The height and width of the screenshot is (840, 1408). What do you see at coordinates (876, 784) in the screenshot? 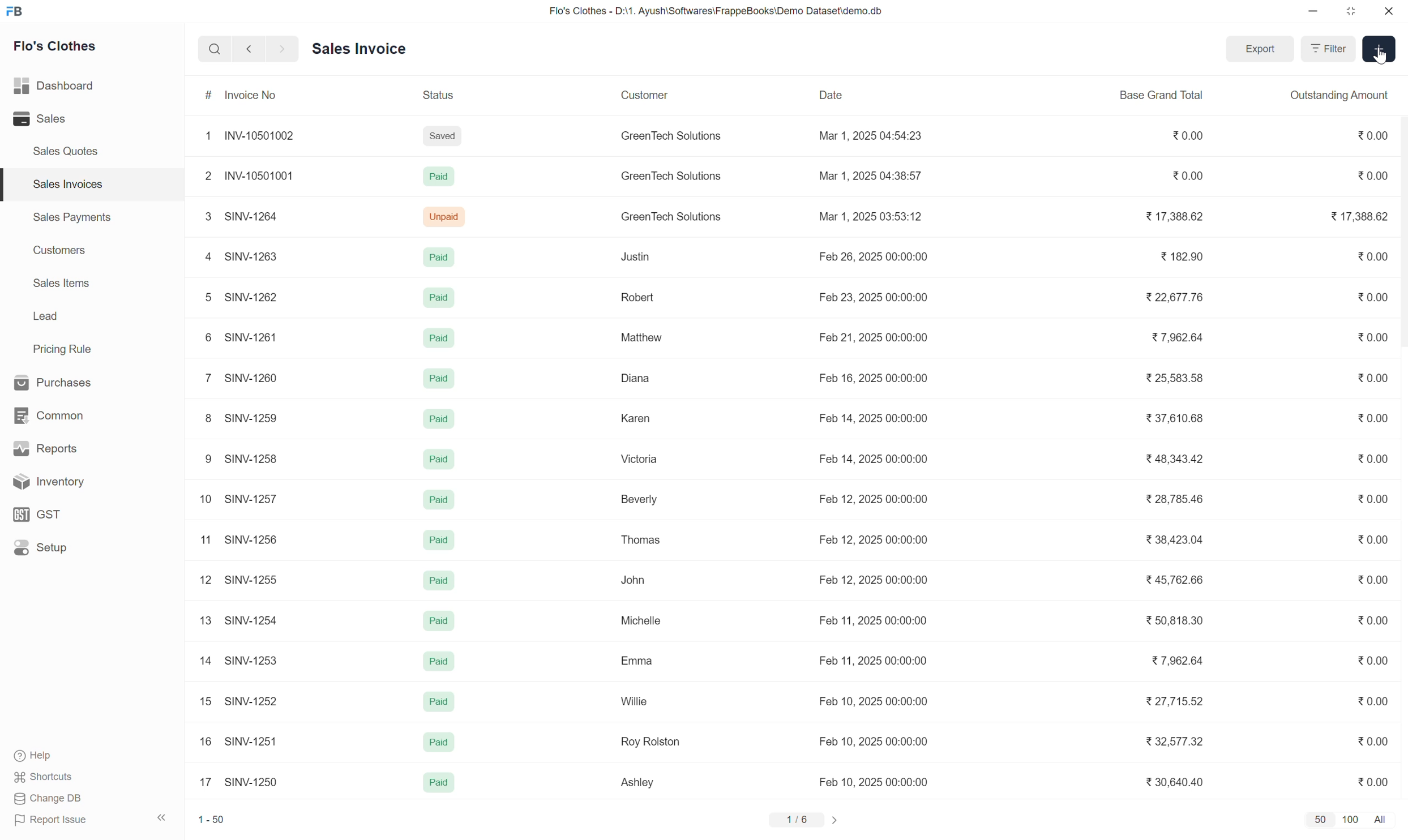
I see `Feb 10, 2025 00:00:00` at bounding box center [876, 784].